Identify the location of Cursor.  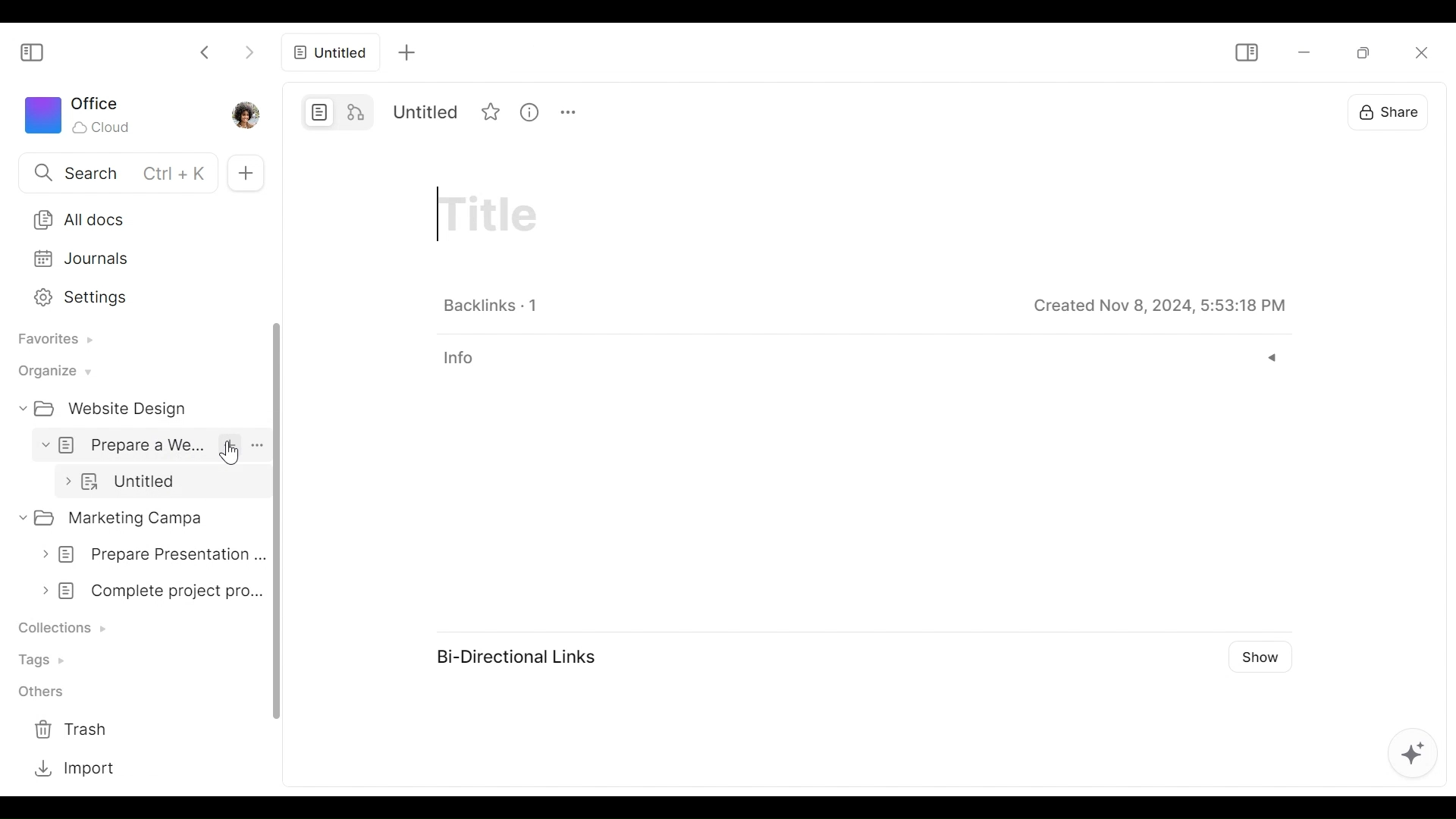
(234, 452).